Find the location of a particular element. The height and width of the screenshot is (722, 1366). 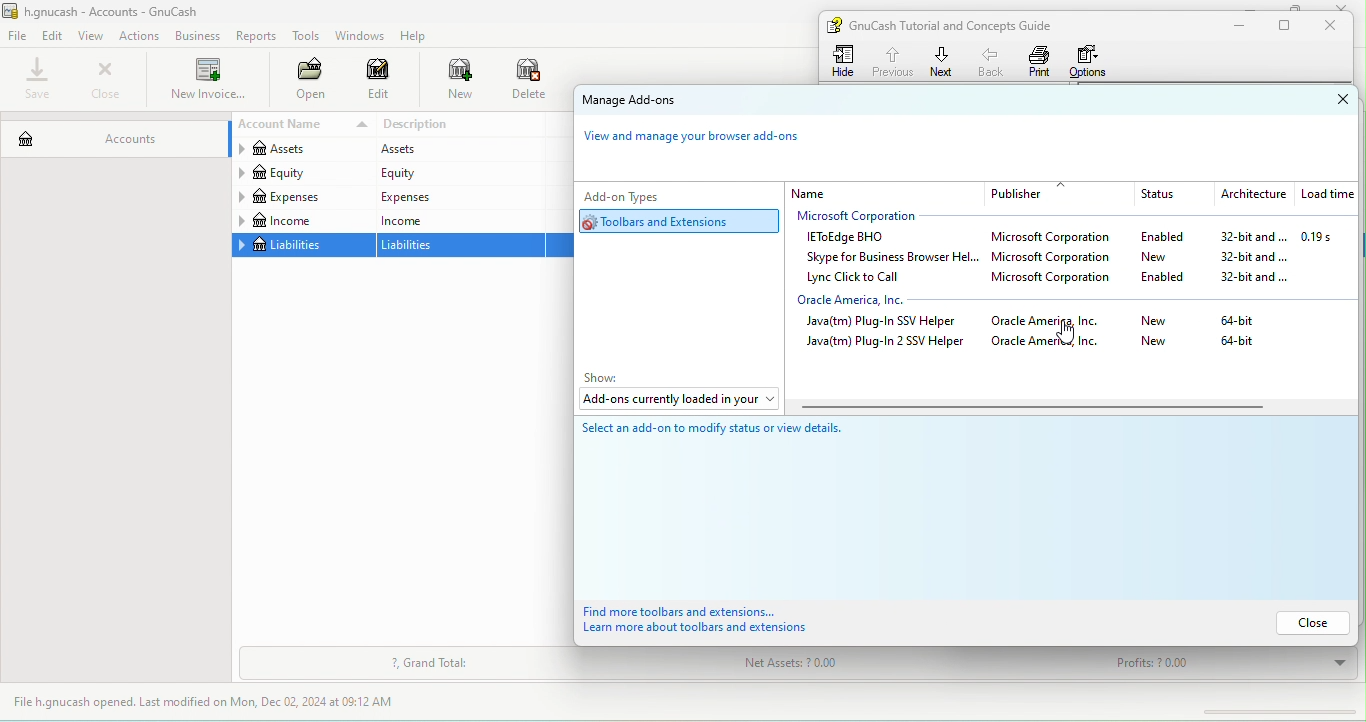

close is located at coordinates (1347, 6).